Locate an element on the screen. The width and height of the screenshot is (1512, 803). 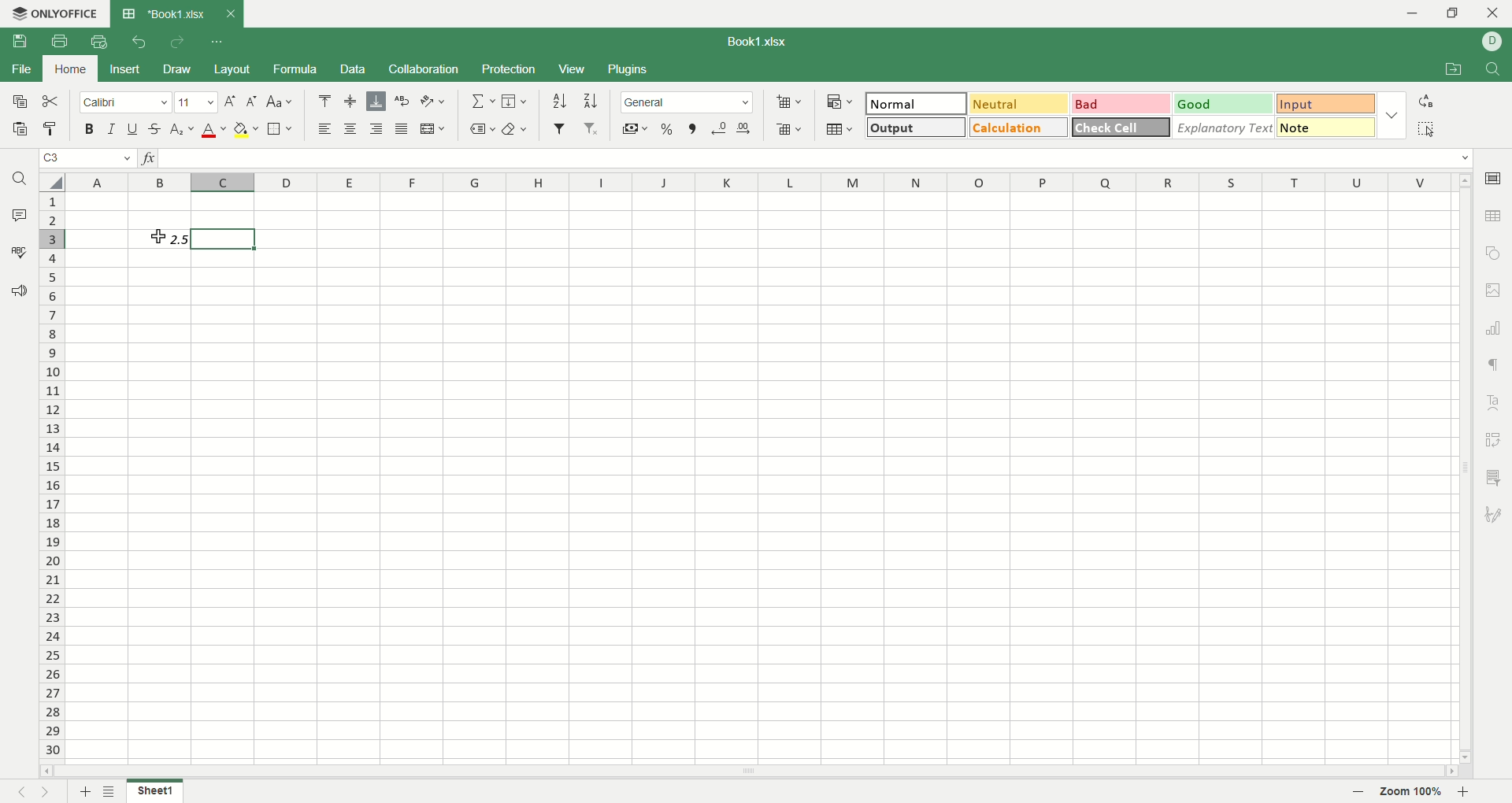
background color is located at coordinates (246, 129).